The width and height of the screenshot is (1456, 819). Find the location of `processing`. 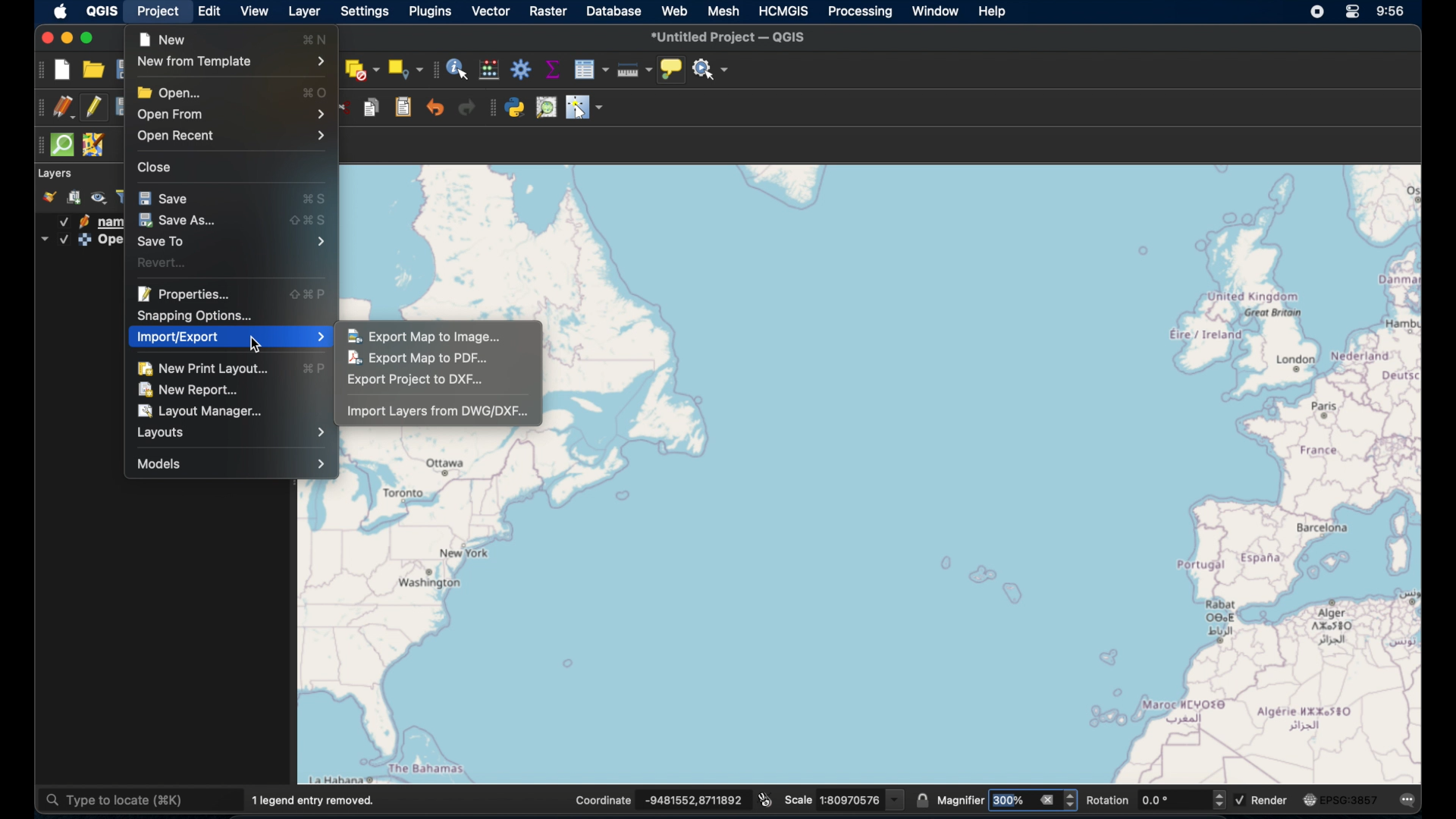

processing is located at coordinates (861, 13).